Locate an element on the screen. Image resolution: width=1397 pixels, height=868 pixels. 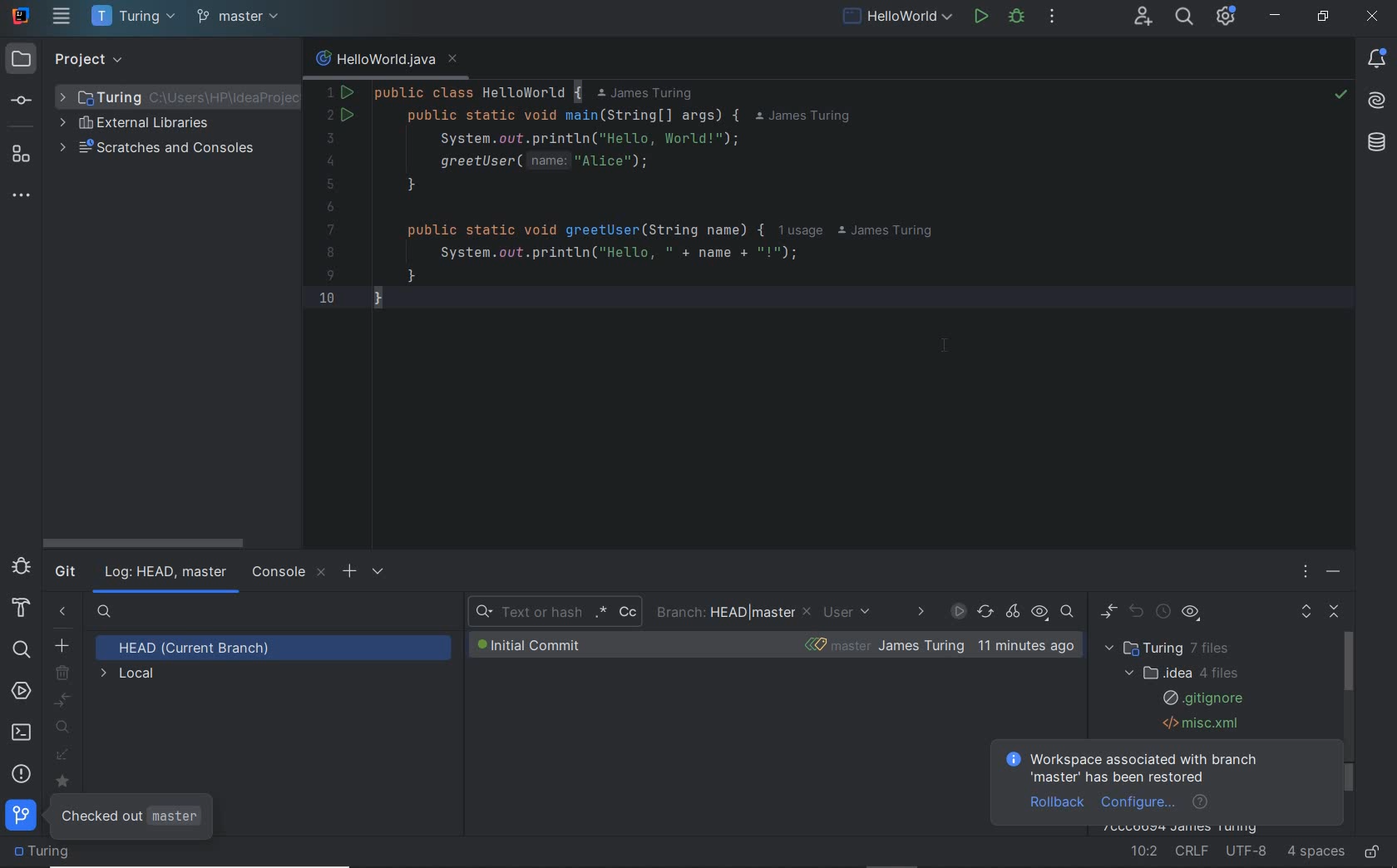
3 is located at coordinates (328, 138).